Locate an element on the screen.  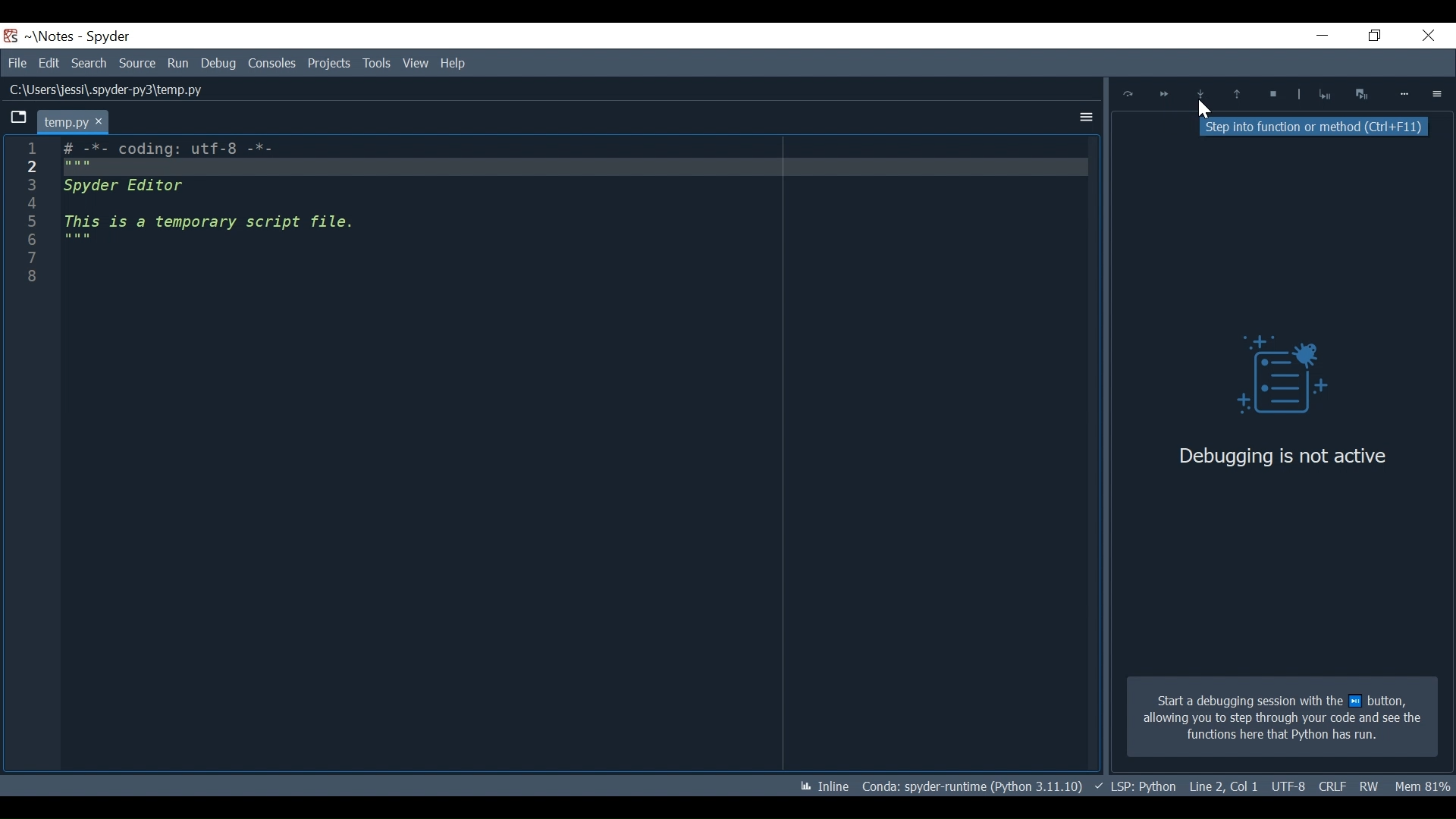
File EQL Status is located at coordinates (1224, 786).